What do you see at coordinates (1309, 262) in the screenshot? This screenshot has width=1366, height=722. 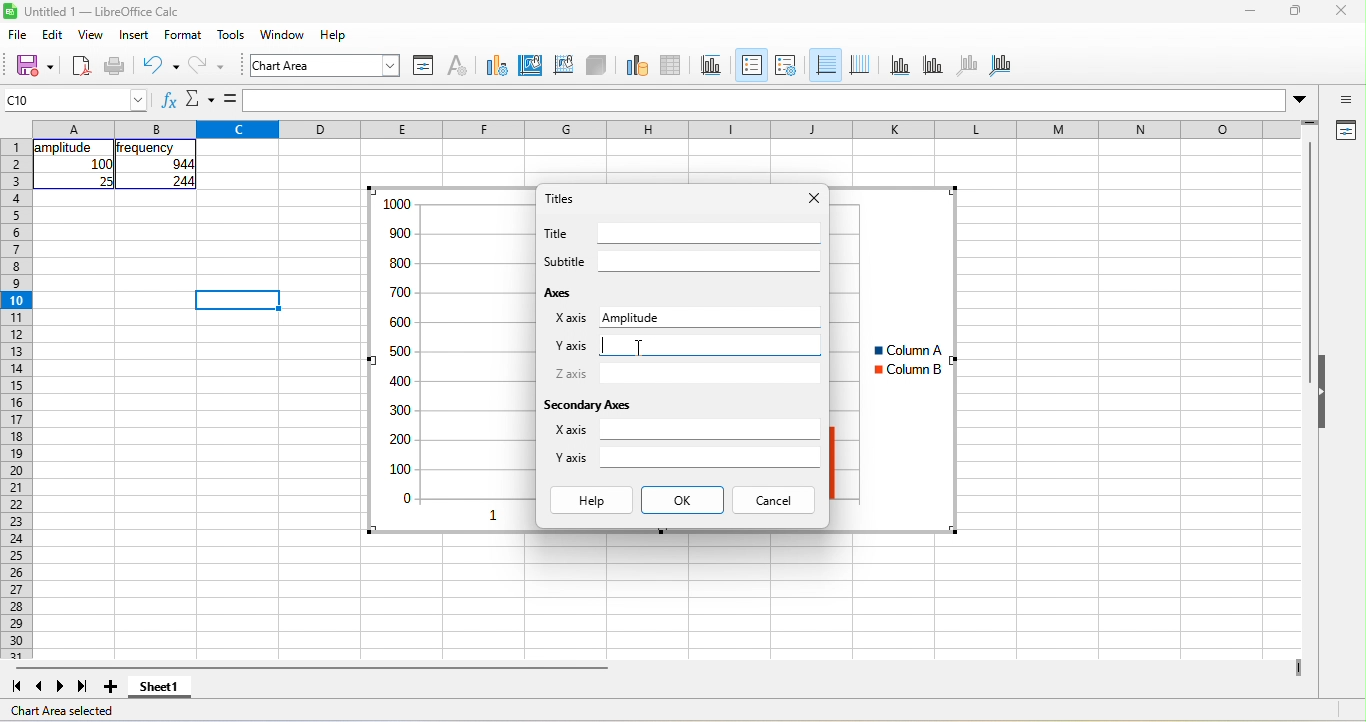 I see `Vertical slide bar` at bounding box center [1309, 262].